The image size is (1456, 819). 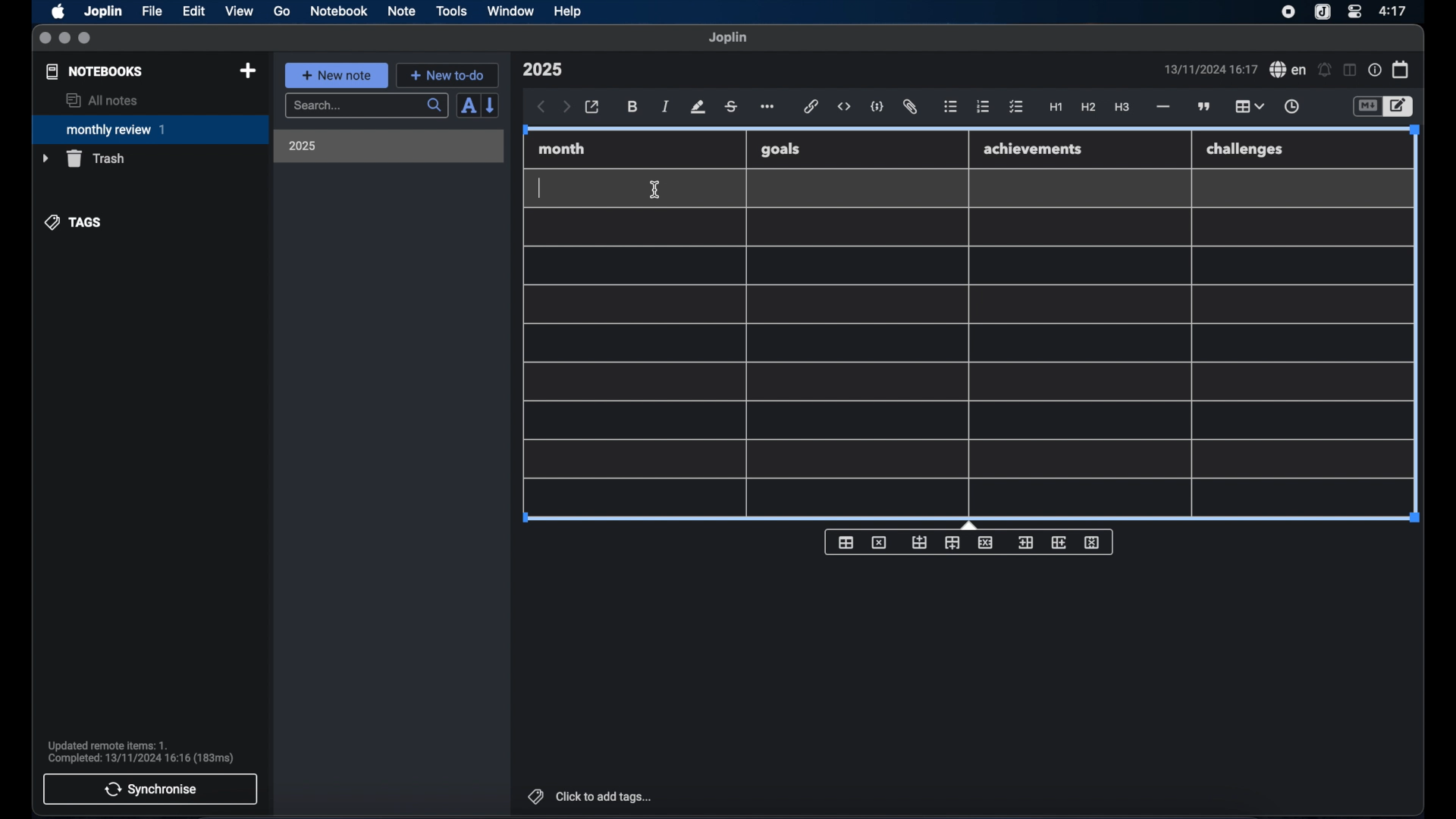 I want to click on sync notification, so click(x=141, y=752).